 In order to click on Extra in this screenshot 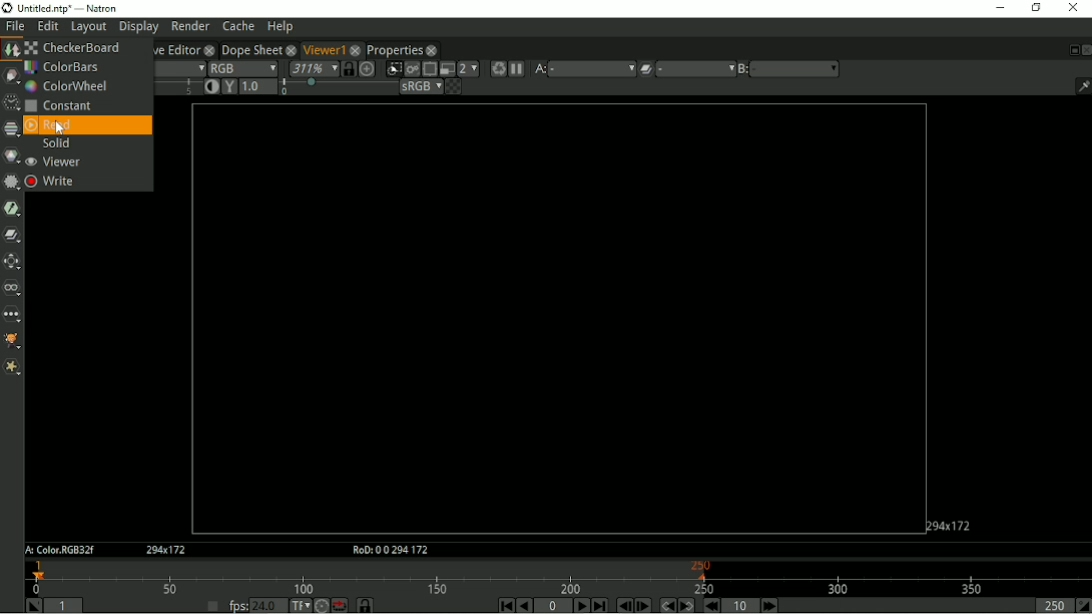, I will do `click(12, 368)`.